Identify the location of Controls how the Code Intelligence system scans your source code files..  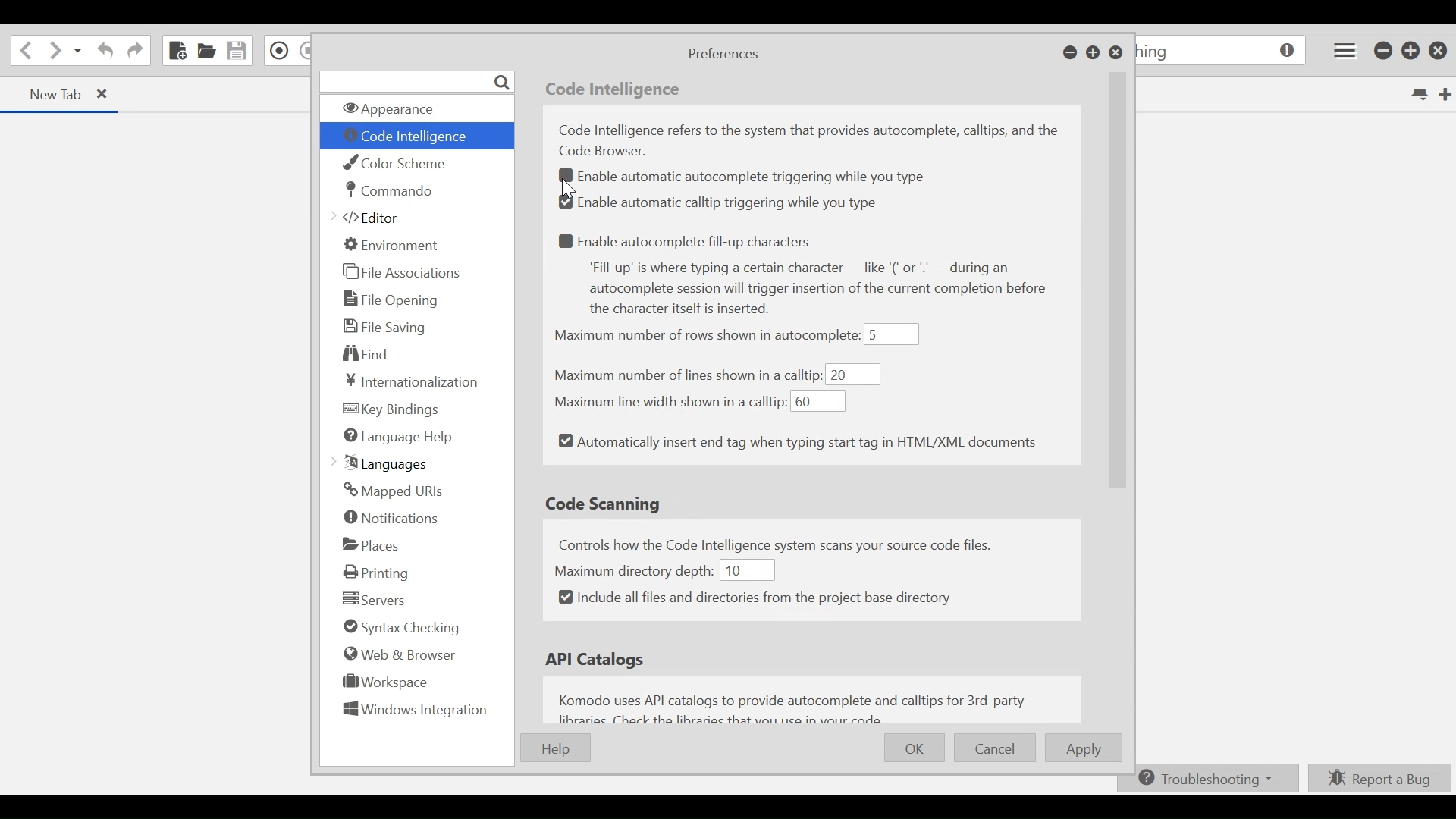
(794, 543).